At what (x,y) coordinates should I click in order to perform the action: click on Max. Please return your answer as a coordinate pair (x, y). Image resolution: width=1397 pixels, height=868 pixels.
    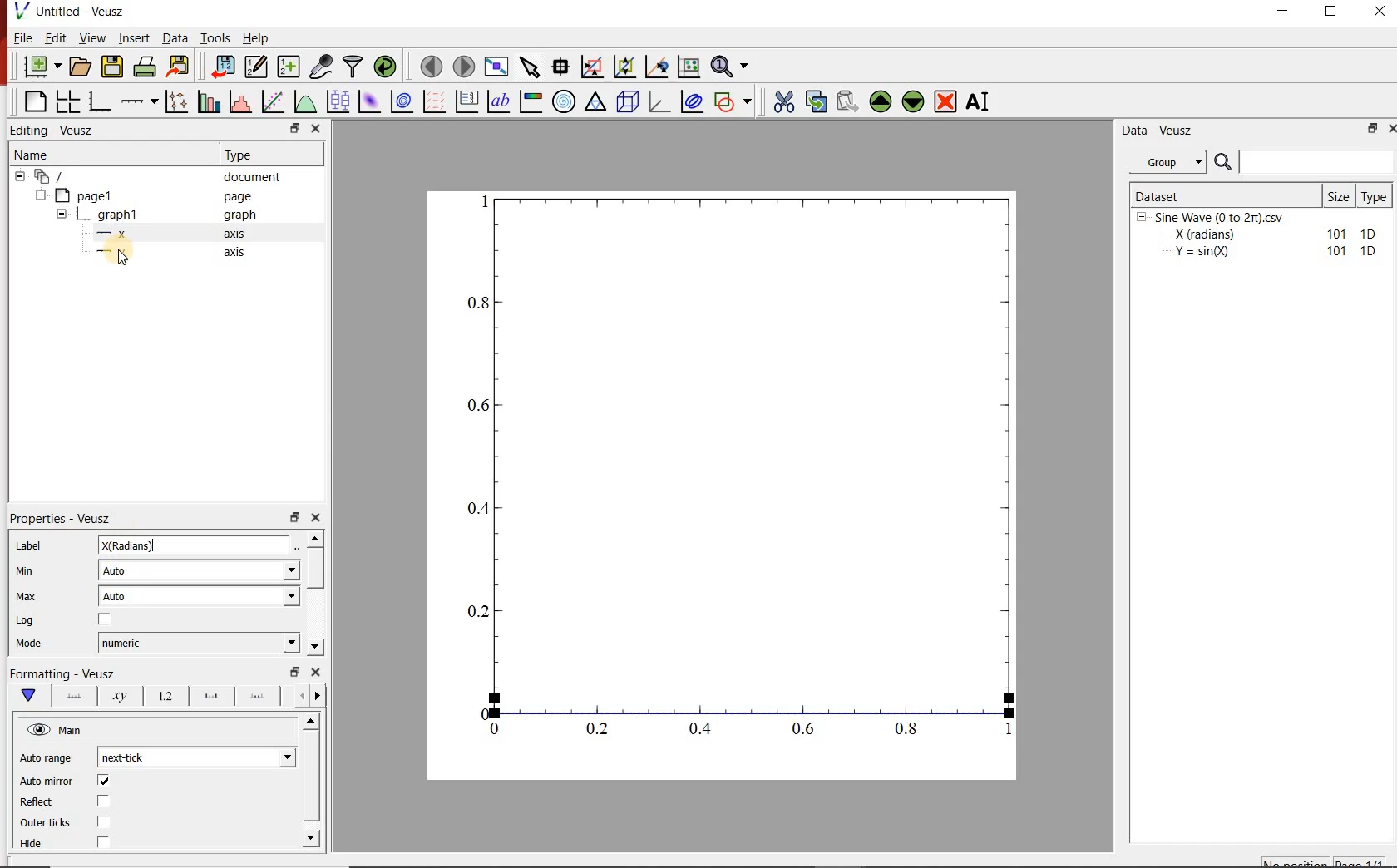
    Looking at the image, I should click on (27, 596).